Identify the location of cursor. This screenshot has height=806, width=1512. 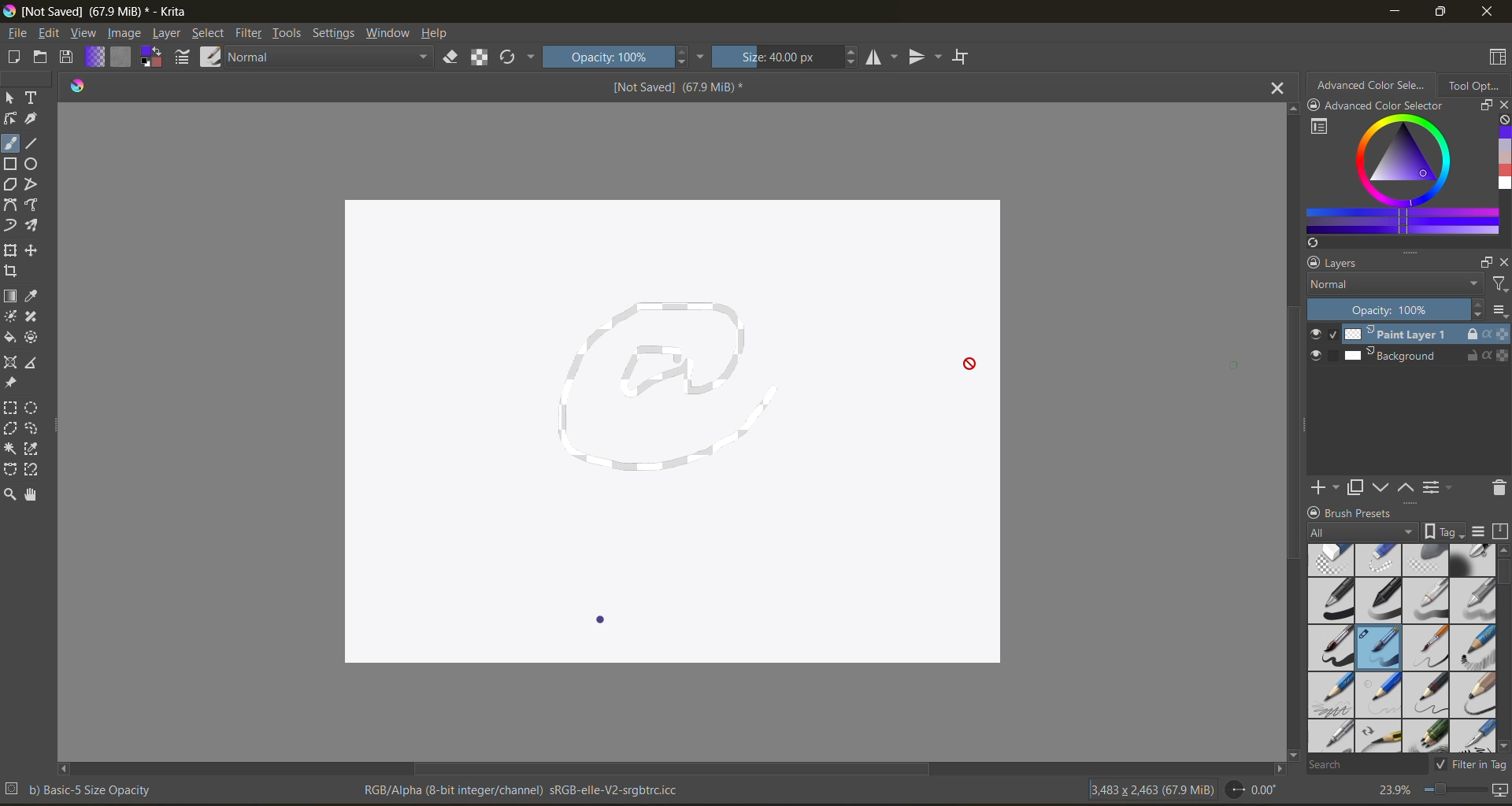
(973, 364).